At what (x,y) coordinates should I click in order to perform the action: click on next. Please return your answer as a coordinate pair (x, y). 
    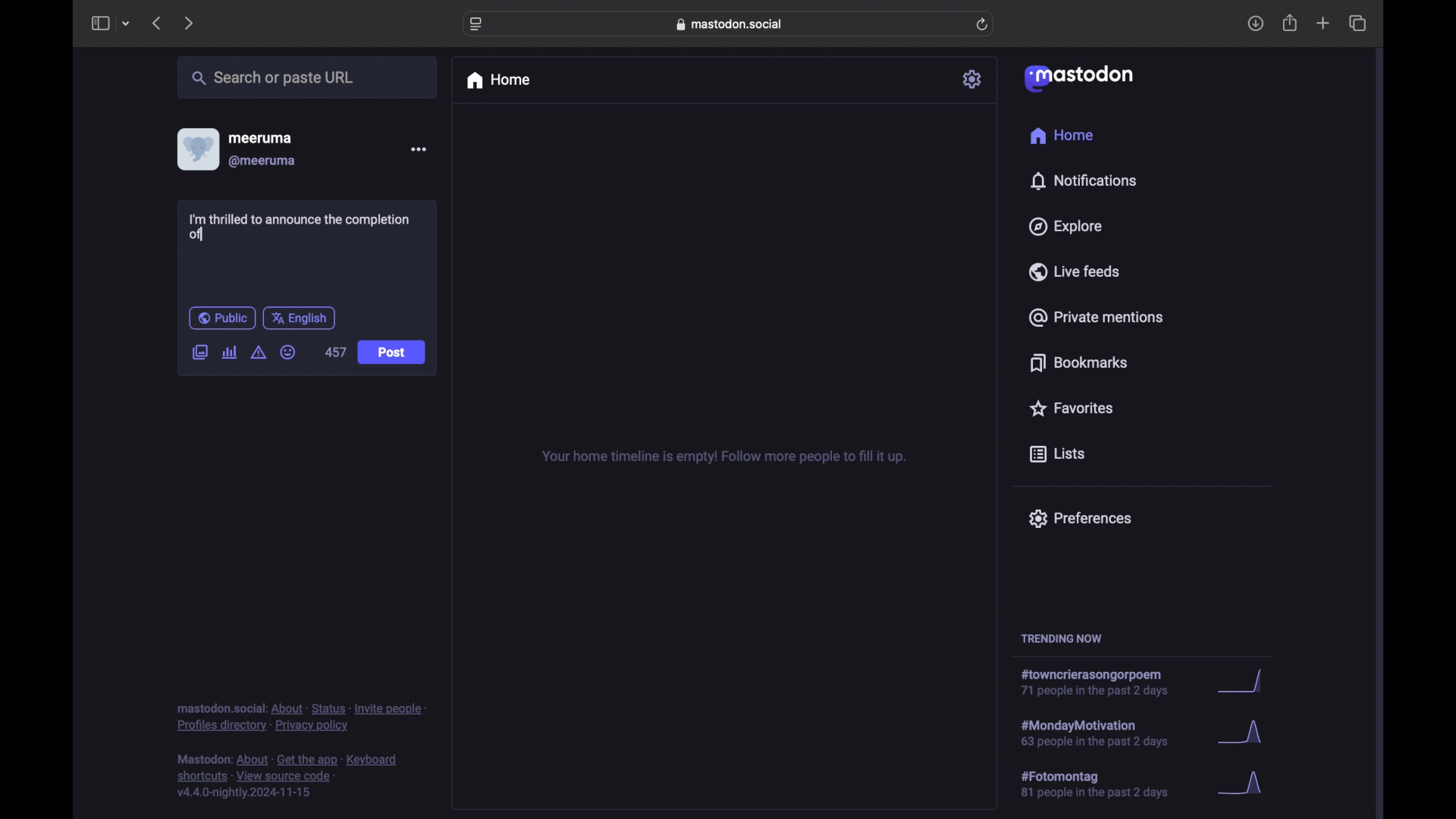
    Looking at the image, I should click on (188, 24).